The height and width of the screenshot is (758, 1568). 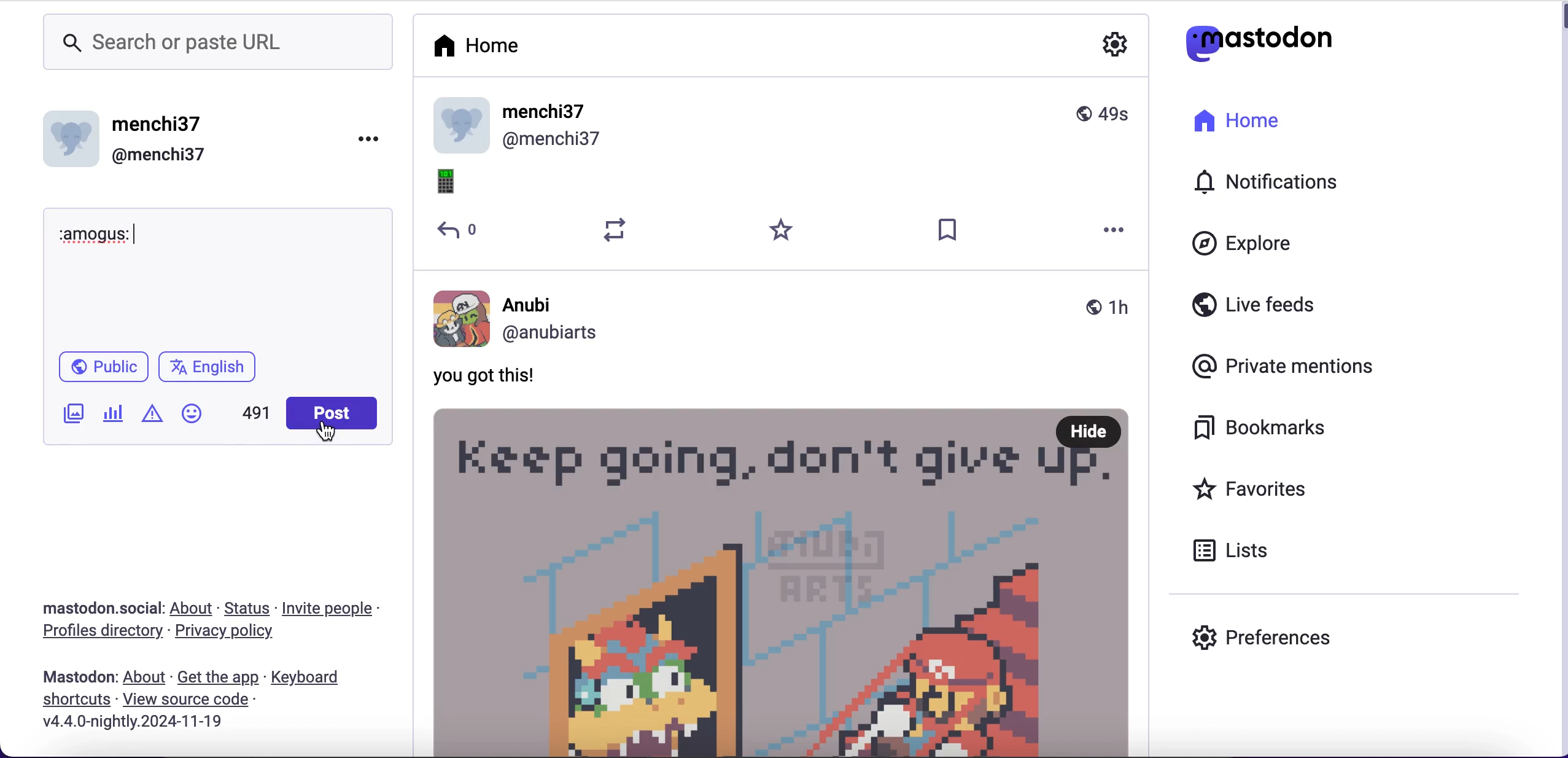 What do you see at coordinates (370, 139) in the screenshot?
I see `options` at bounding box center [370, 139].